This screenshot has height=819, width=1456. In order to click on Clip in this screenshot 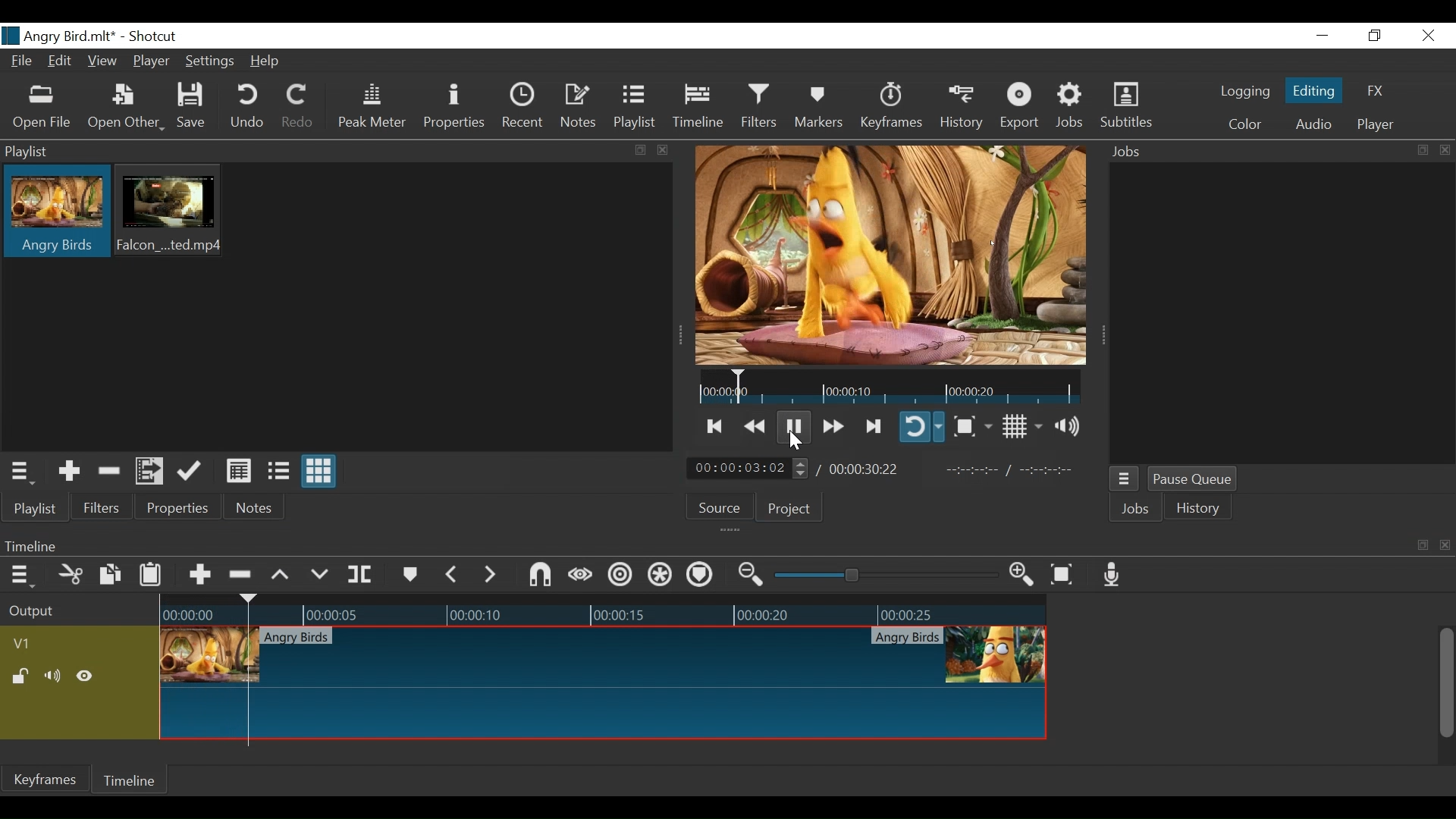, I will do `click(174, 212)`.